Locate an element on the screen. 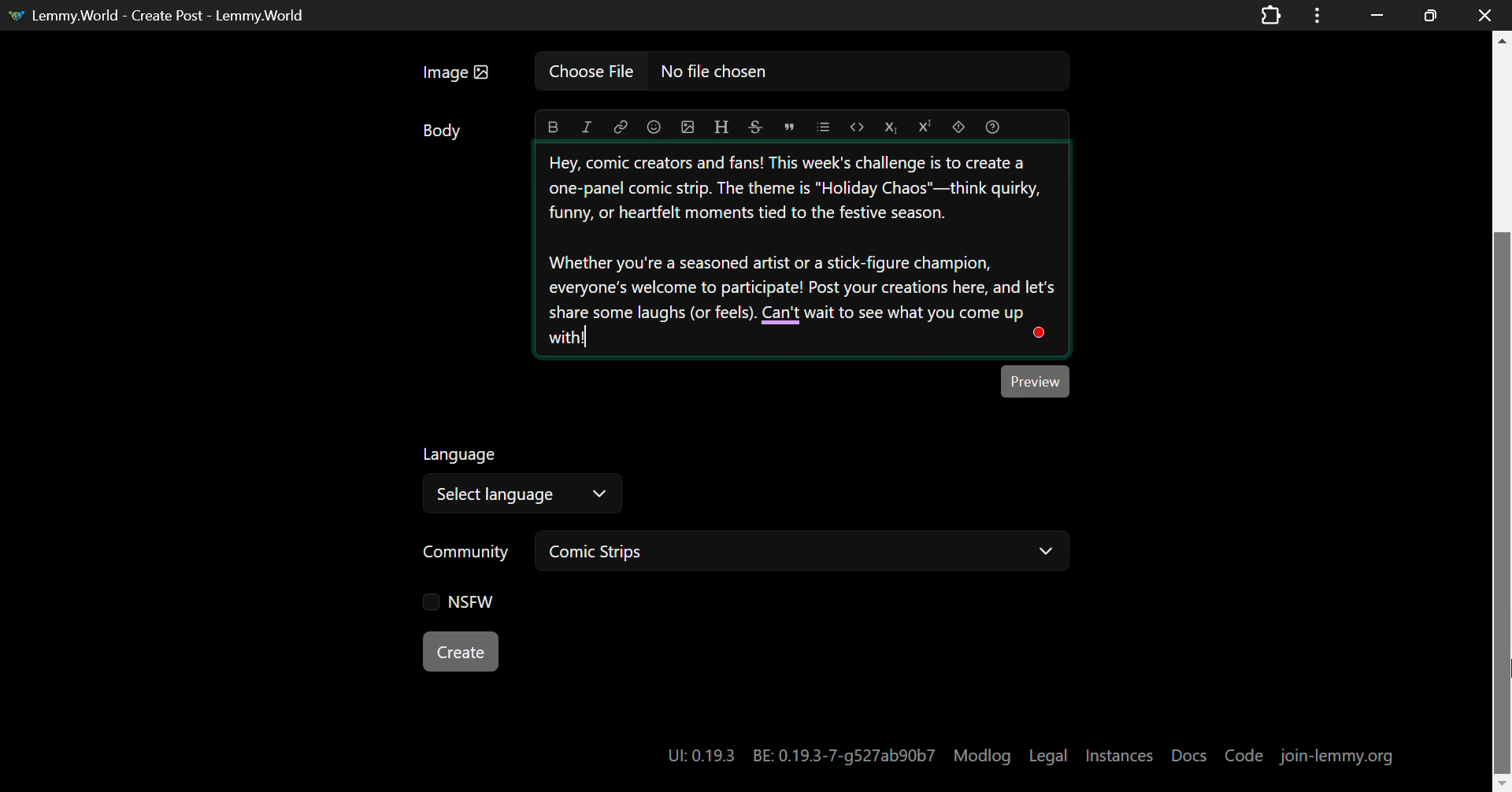 Image resolution: width=1512 pixels, height=792 pixels. DRAG_TO Cursor Position is located at coordinates (1503, 648).